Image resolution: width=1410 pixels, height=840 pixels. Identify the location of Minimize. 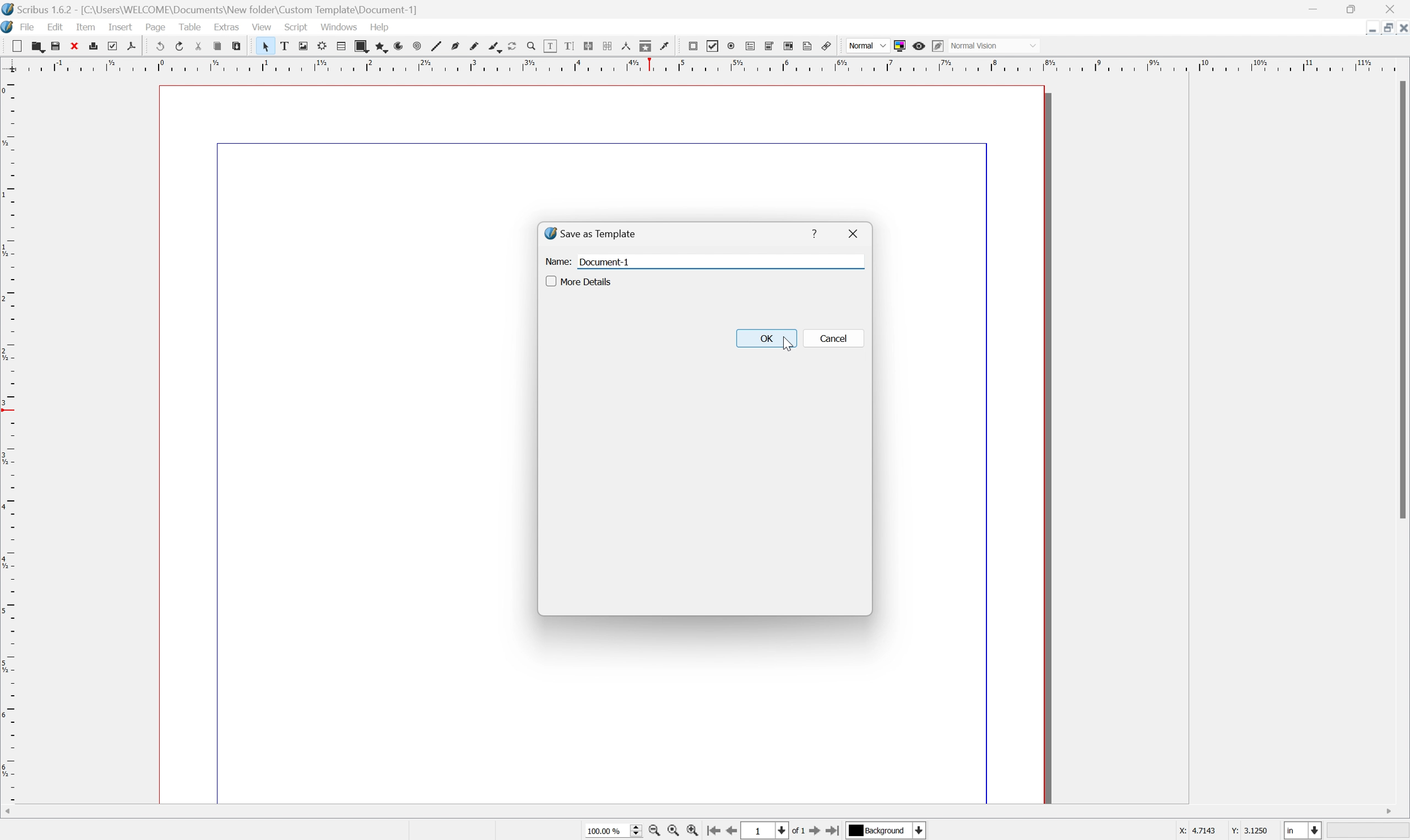
(1370, 32).